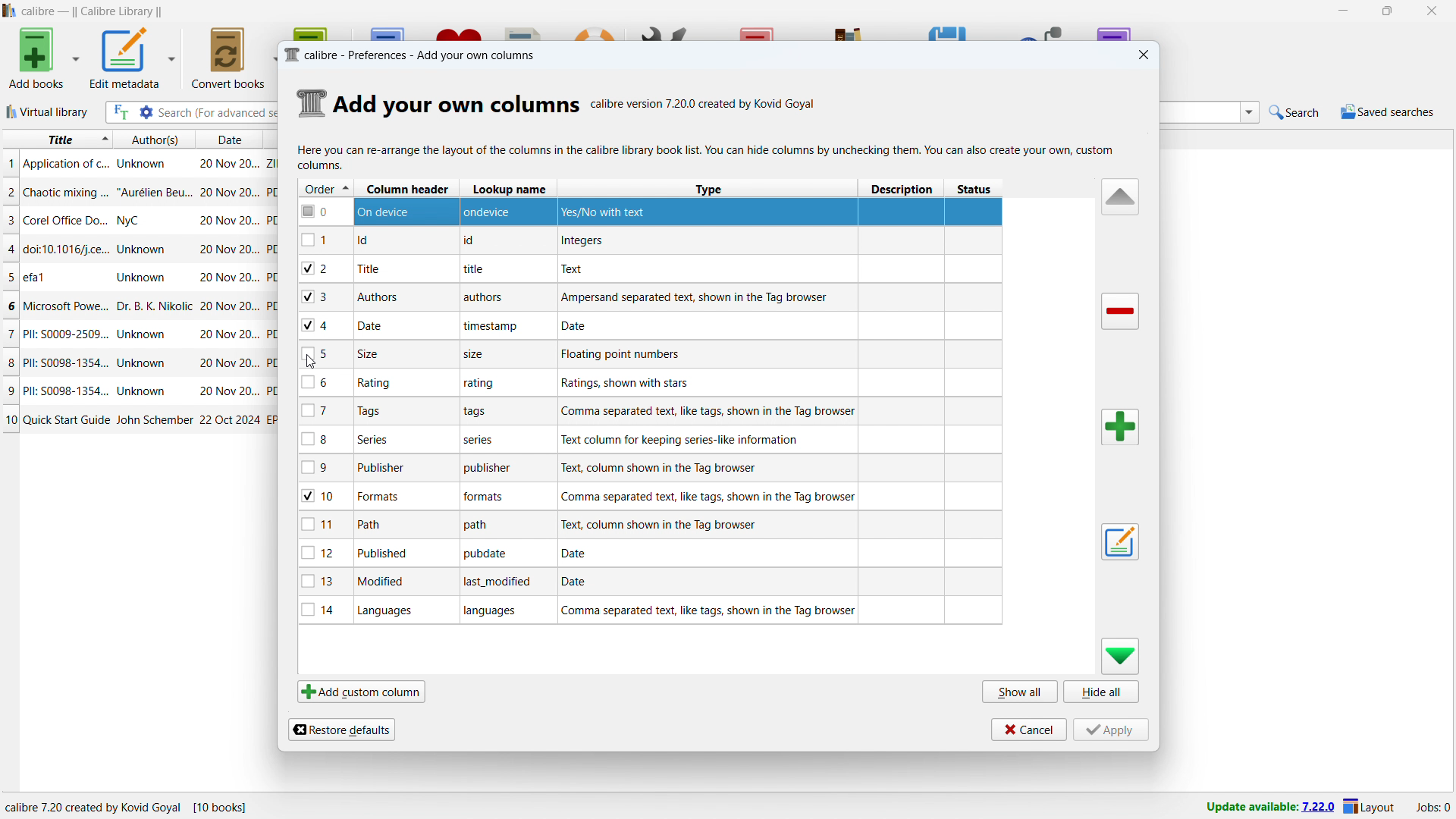 The image size is (1456, 819). What do you see at coordinates (228, 58) in the screenshot?
I see `convert books` at bounding box center [228, 58].